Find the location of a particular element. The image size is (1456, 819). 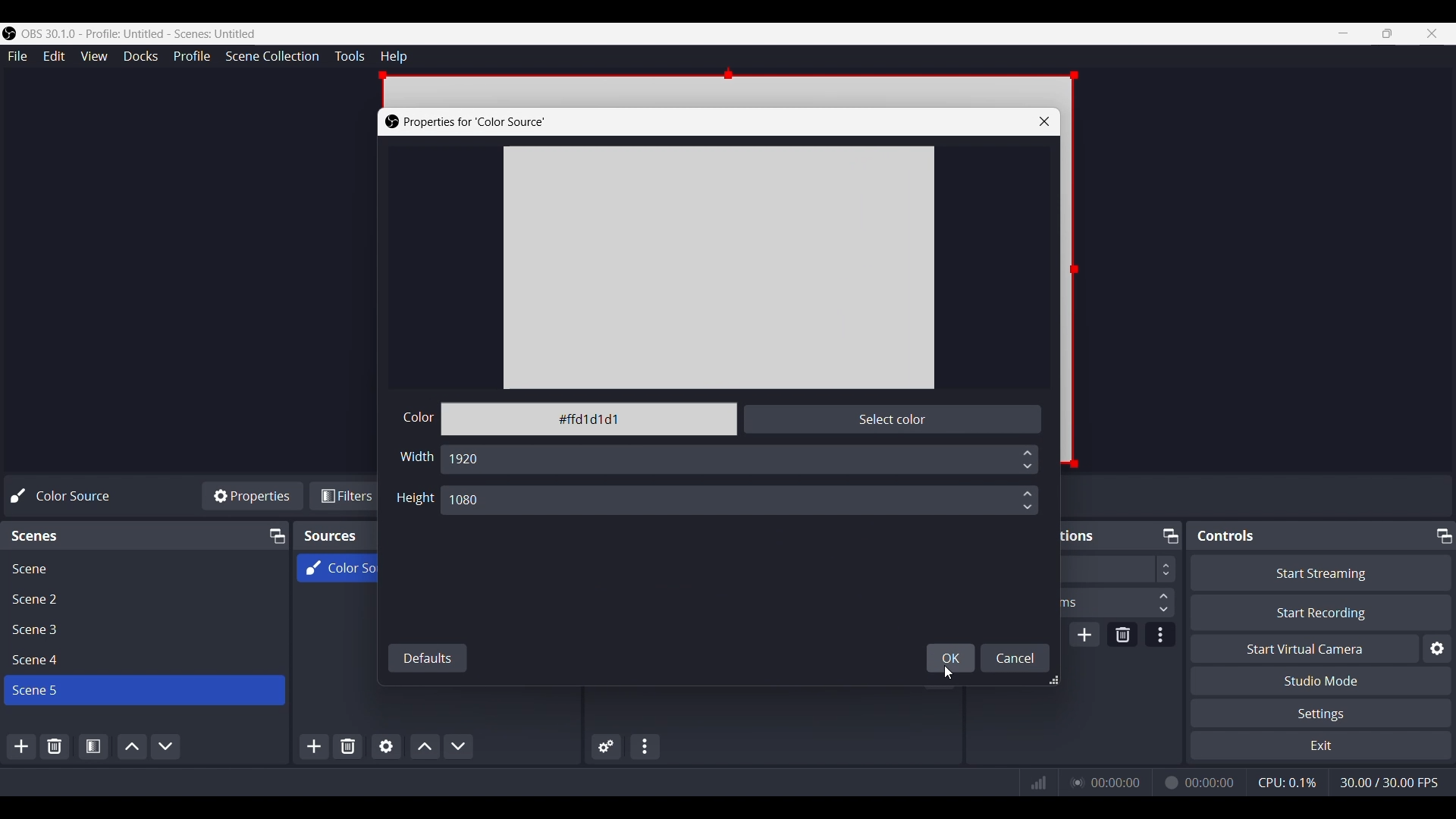

Scene File is located at coordinates (141, 630).